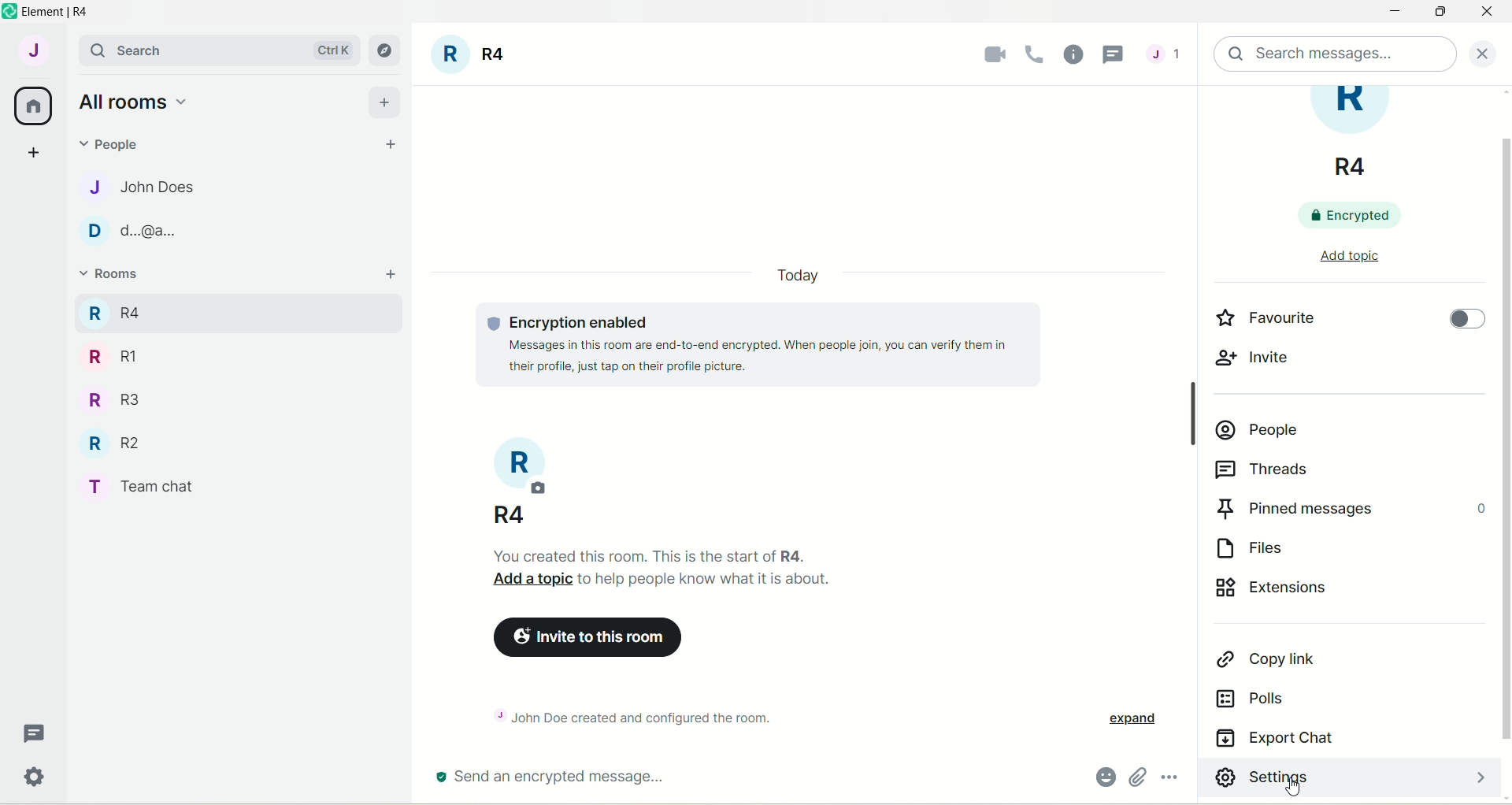 This screenshot has height=805, width=1512. I want to click on explore rooms, so click(386, 50).